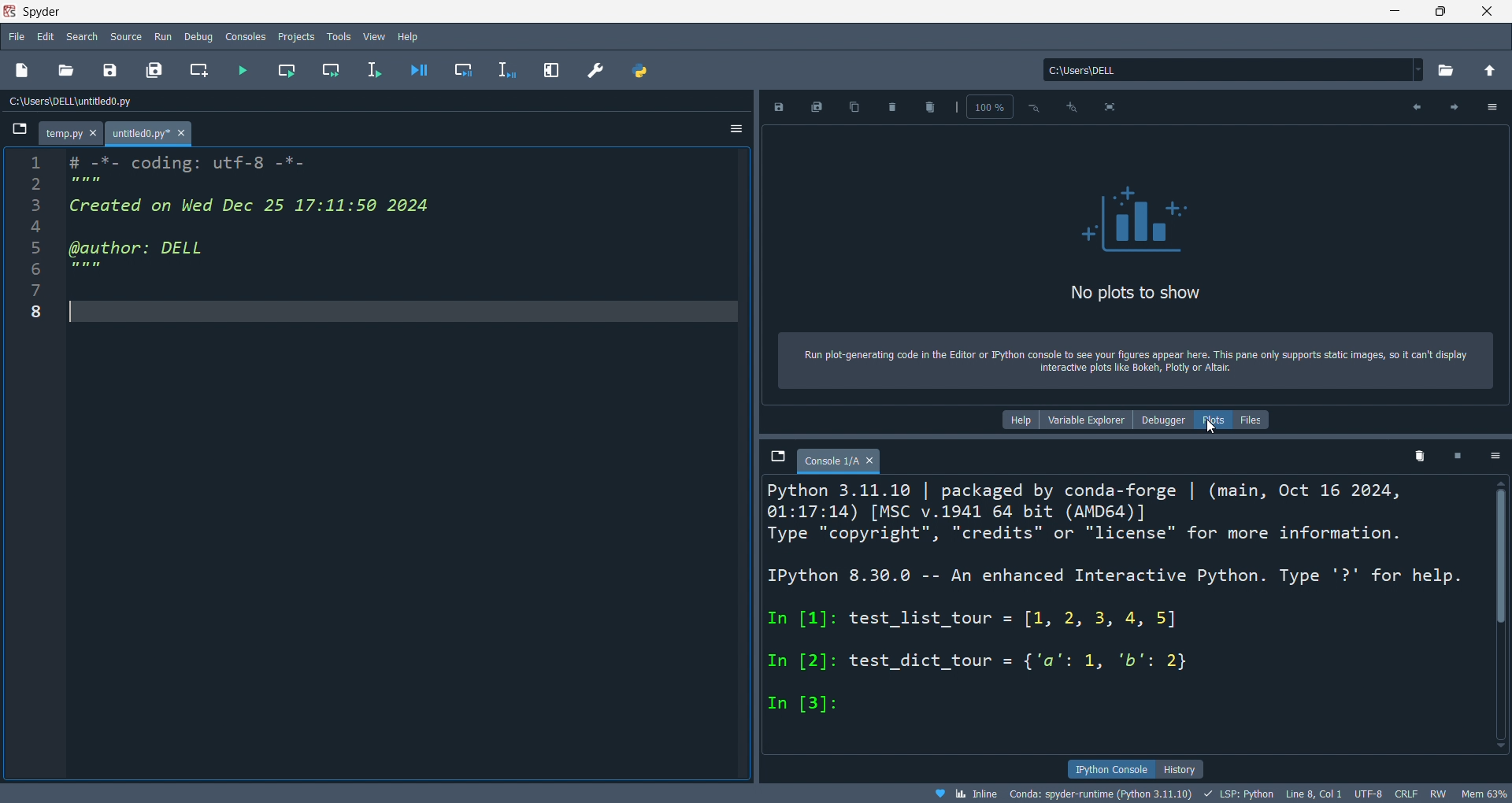  I want to click on tools, so click(339, 35).